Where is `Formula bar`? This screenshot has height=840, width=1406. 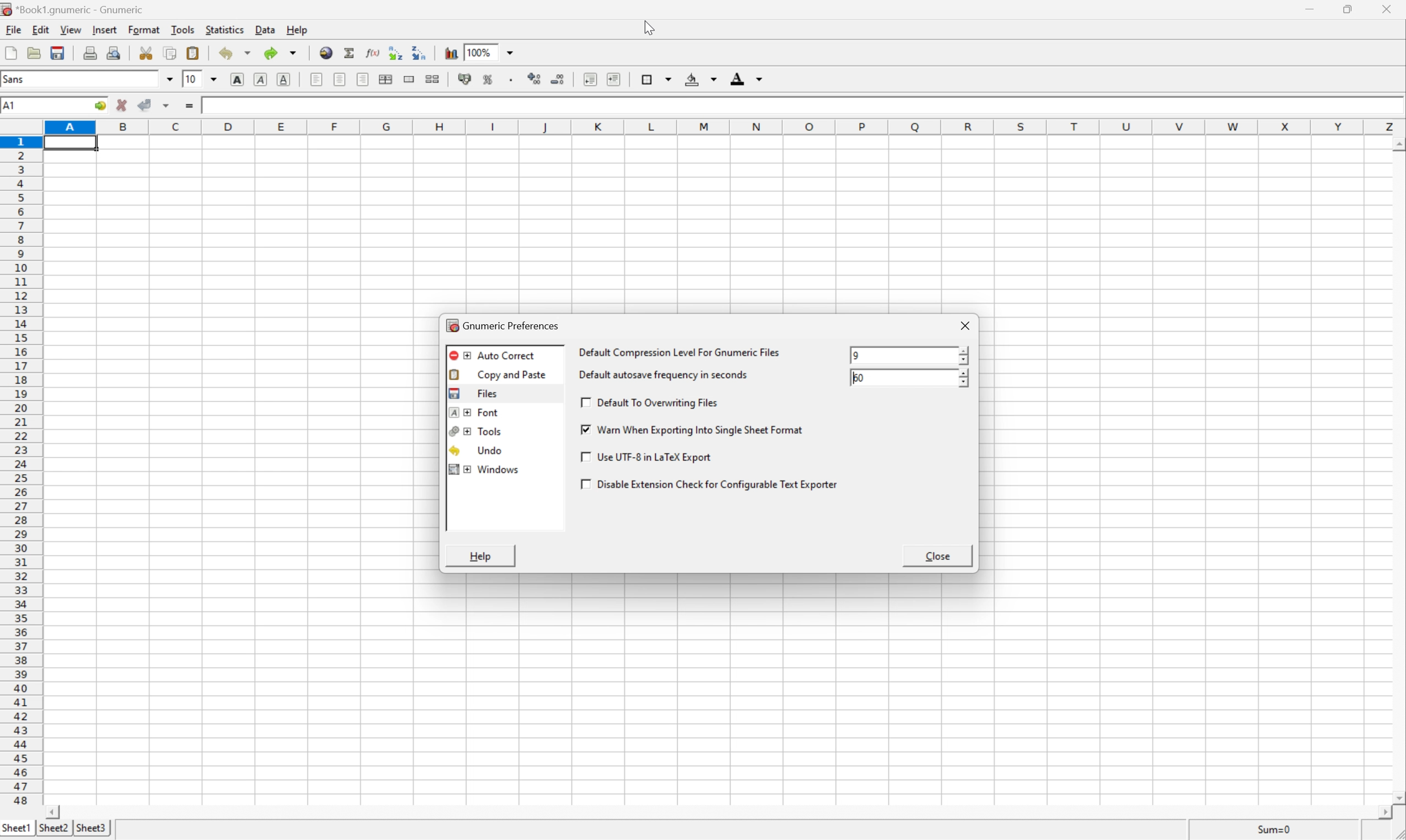
Formula bar is located at coordinates (798, 110).